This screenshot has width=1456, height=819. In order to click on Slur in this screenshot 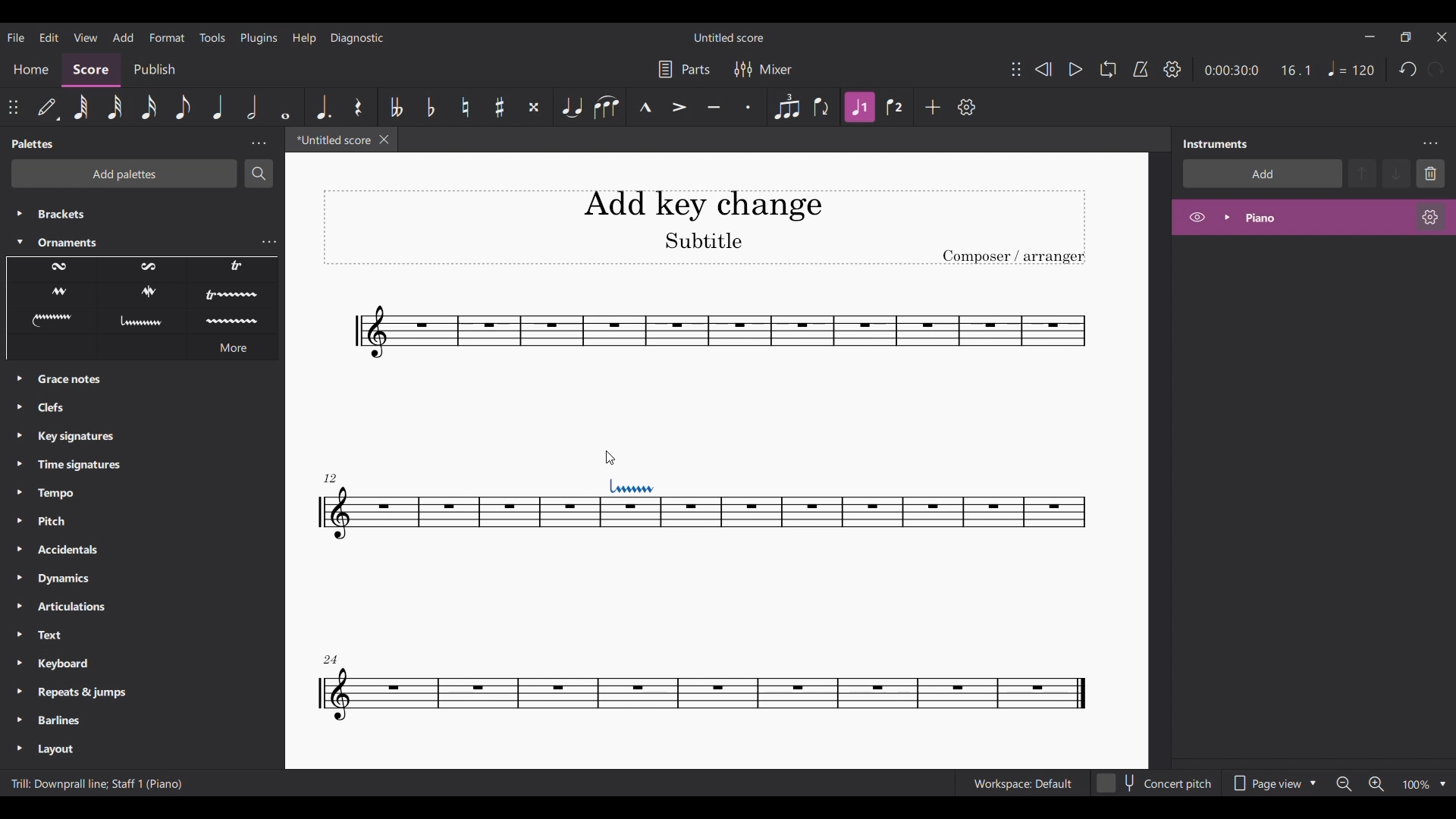, I will do `click(606, 106)`.